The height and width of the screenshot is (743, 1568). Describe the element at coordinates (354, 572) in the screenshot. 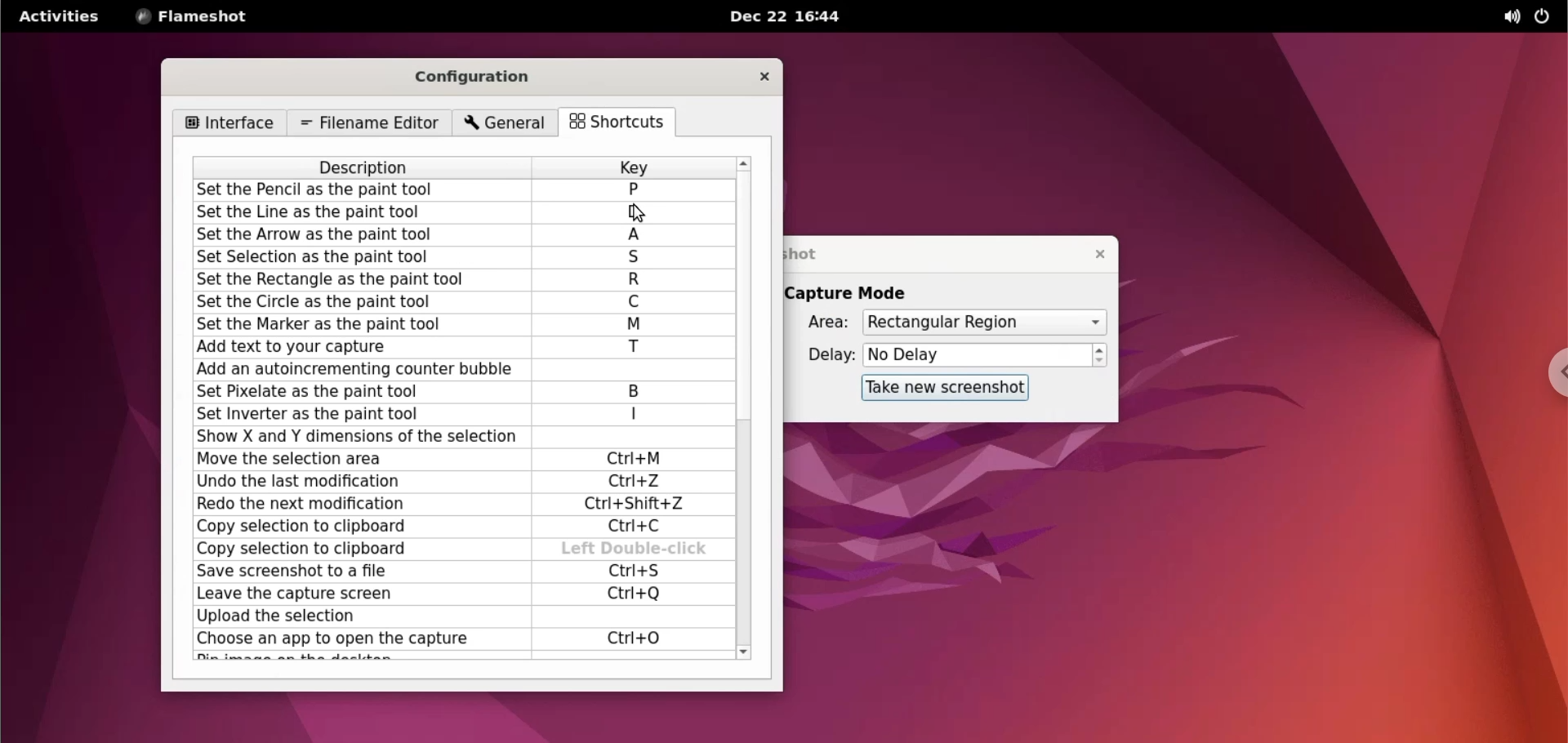

I see `save screenshot to a file` at that location.